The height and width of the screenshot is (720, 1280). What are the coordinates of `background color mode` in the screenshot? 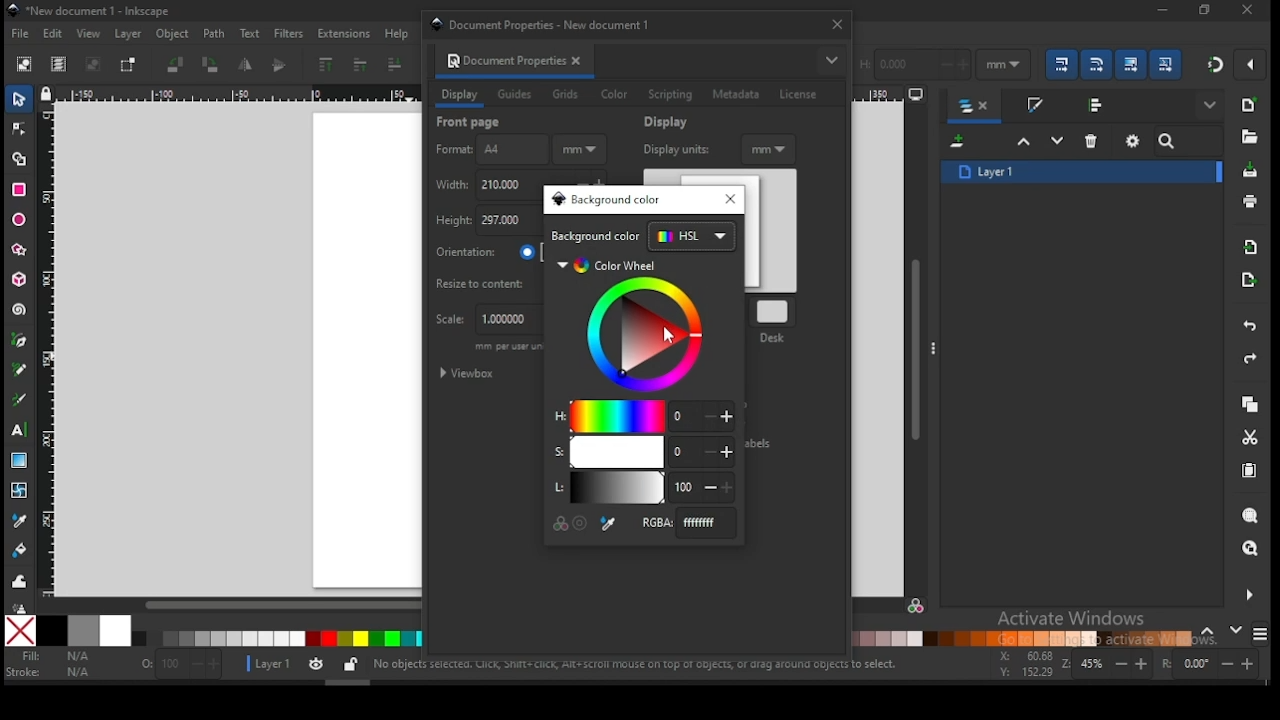 It's located at (643, 237).